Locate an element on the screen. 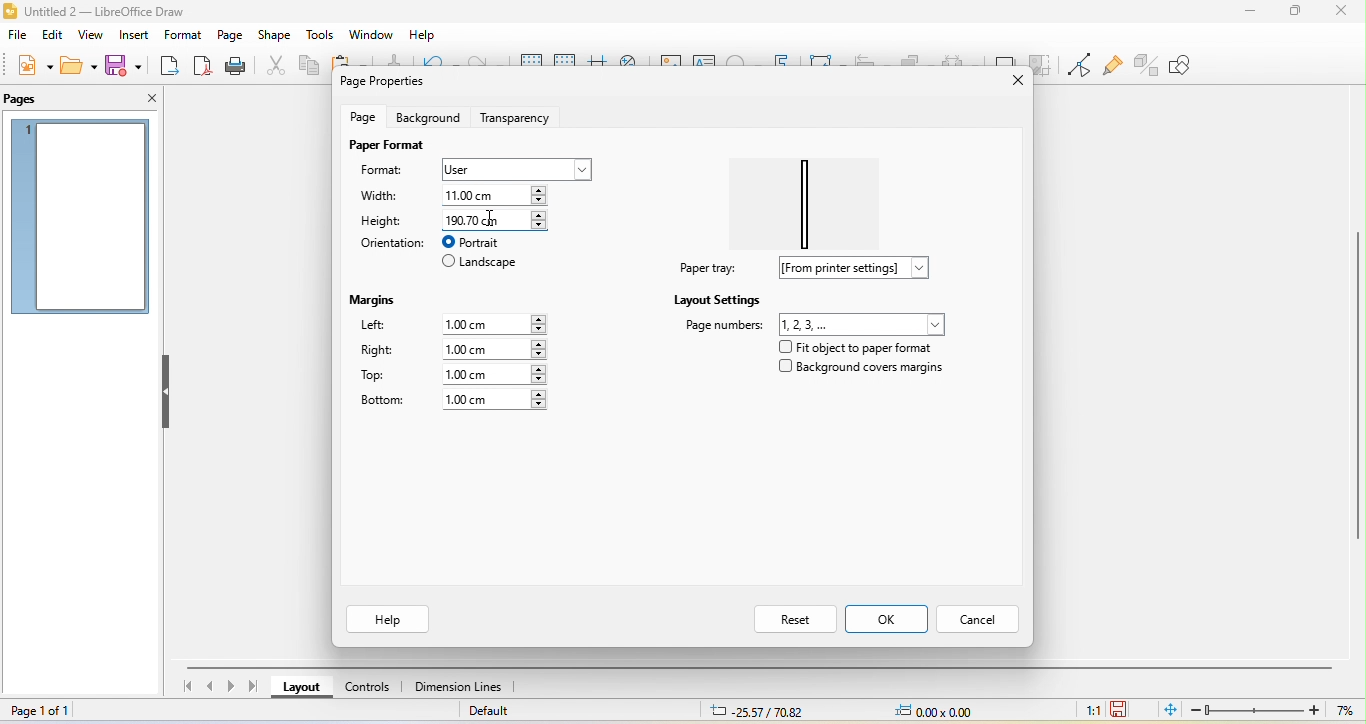  page properties is located at coordinates (388, 83).